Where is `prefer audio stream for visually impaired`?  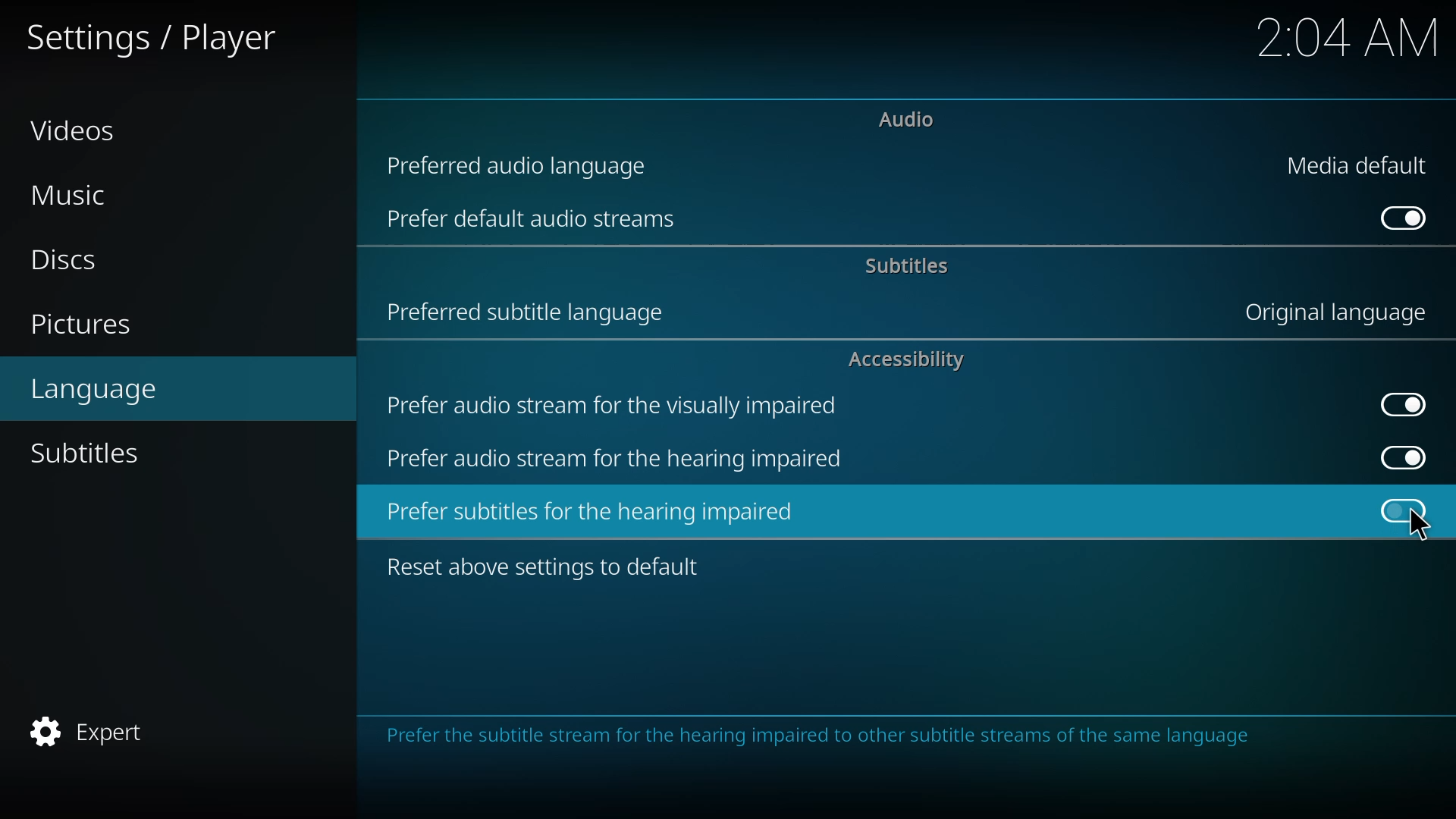
prefer audio stream for visually impaired is located at coordinates (620, 404).